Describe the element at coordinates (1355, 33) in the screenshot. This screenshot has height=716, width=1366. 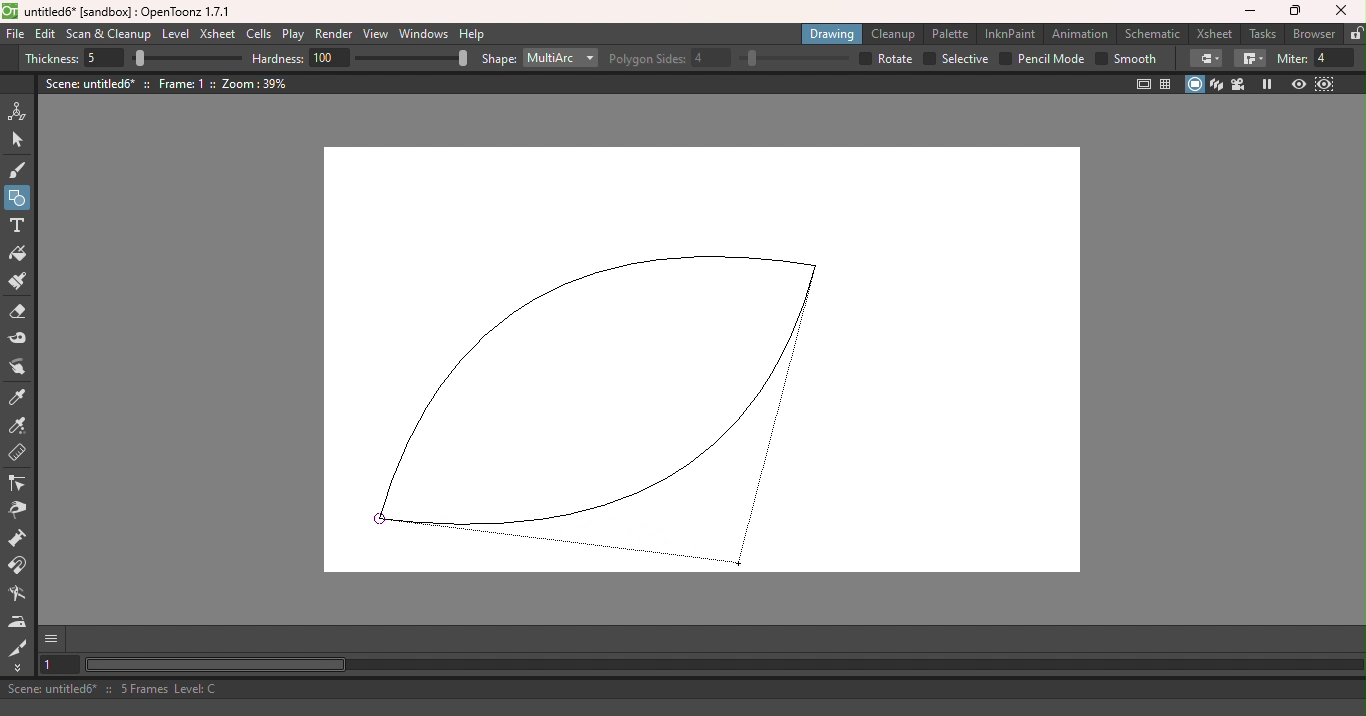
I see `Lock rooms tab` at that location.